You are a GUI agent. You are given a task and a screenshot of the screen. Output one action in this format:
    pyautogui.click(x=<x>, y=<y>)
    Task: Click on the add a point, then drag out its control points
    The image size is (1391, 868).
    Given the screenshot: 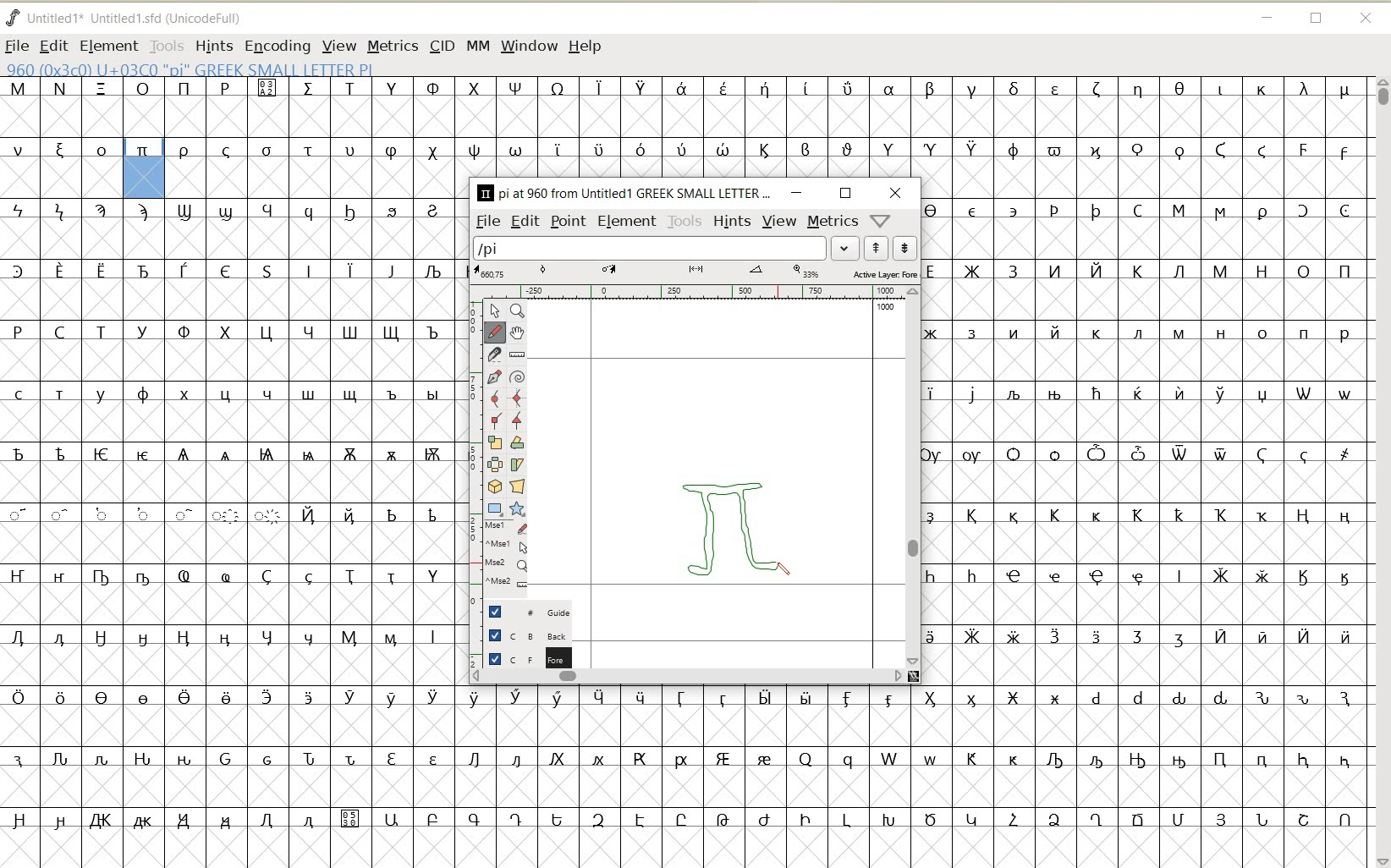 What is the action you would take?
    pyautogui.click(x=494, y=375)
    